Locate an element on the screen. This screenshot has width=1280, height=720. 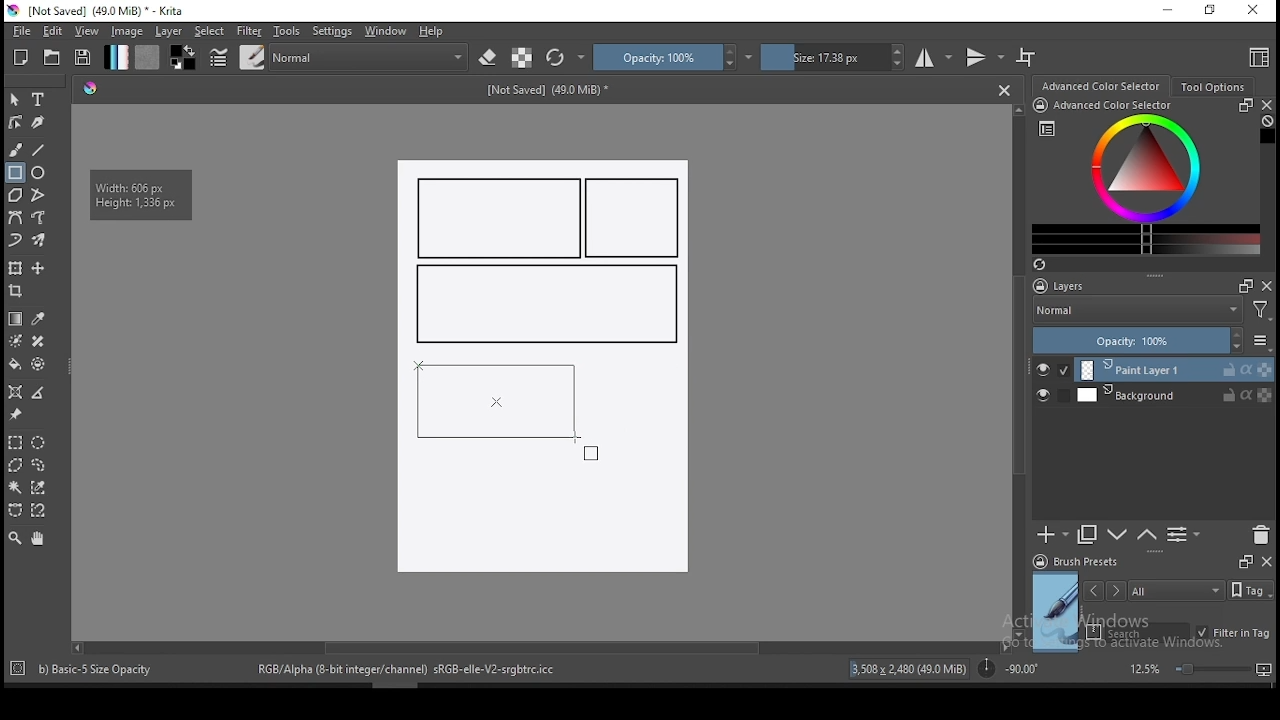
contiguous selection tool is located at coordinates (16, 489).